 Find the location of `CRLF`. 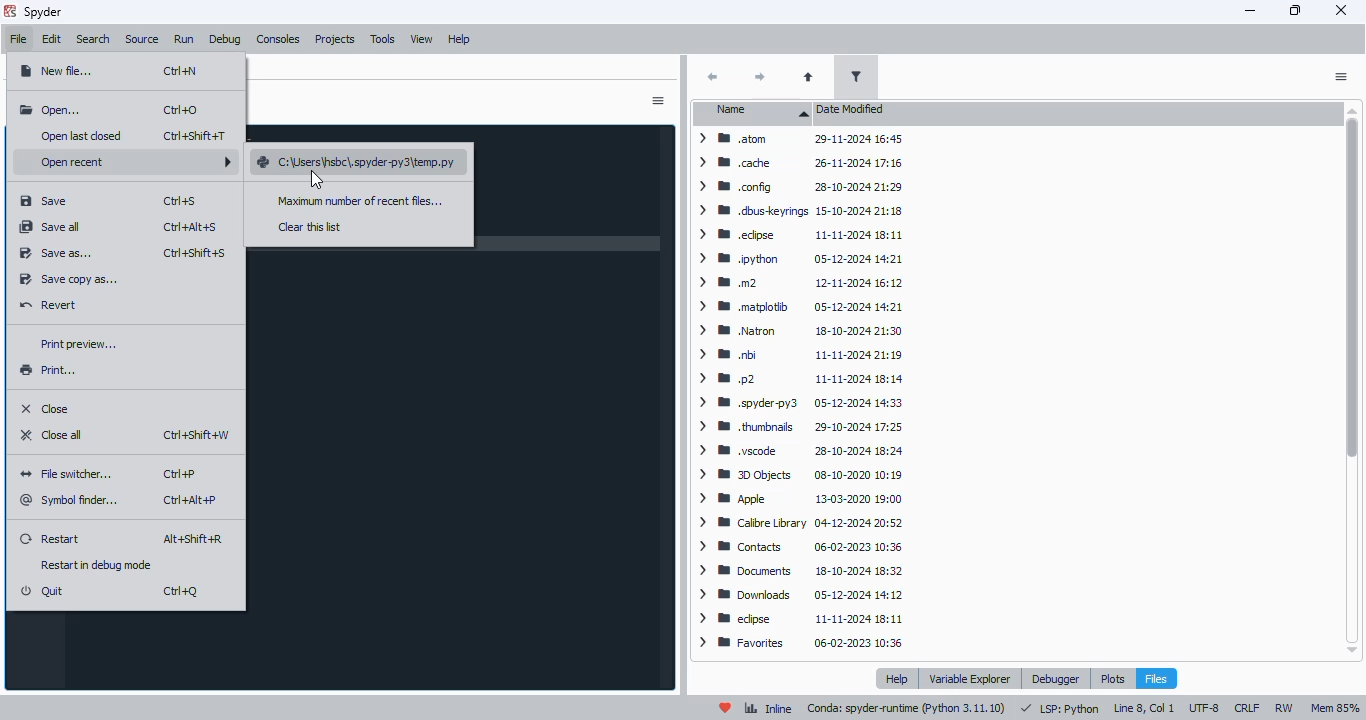

CRLF is located at coordinates (1247, 708).